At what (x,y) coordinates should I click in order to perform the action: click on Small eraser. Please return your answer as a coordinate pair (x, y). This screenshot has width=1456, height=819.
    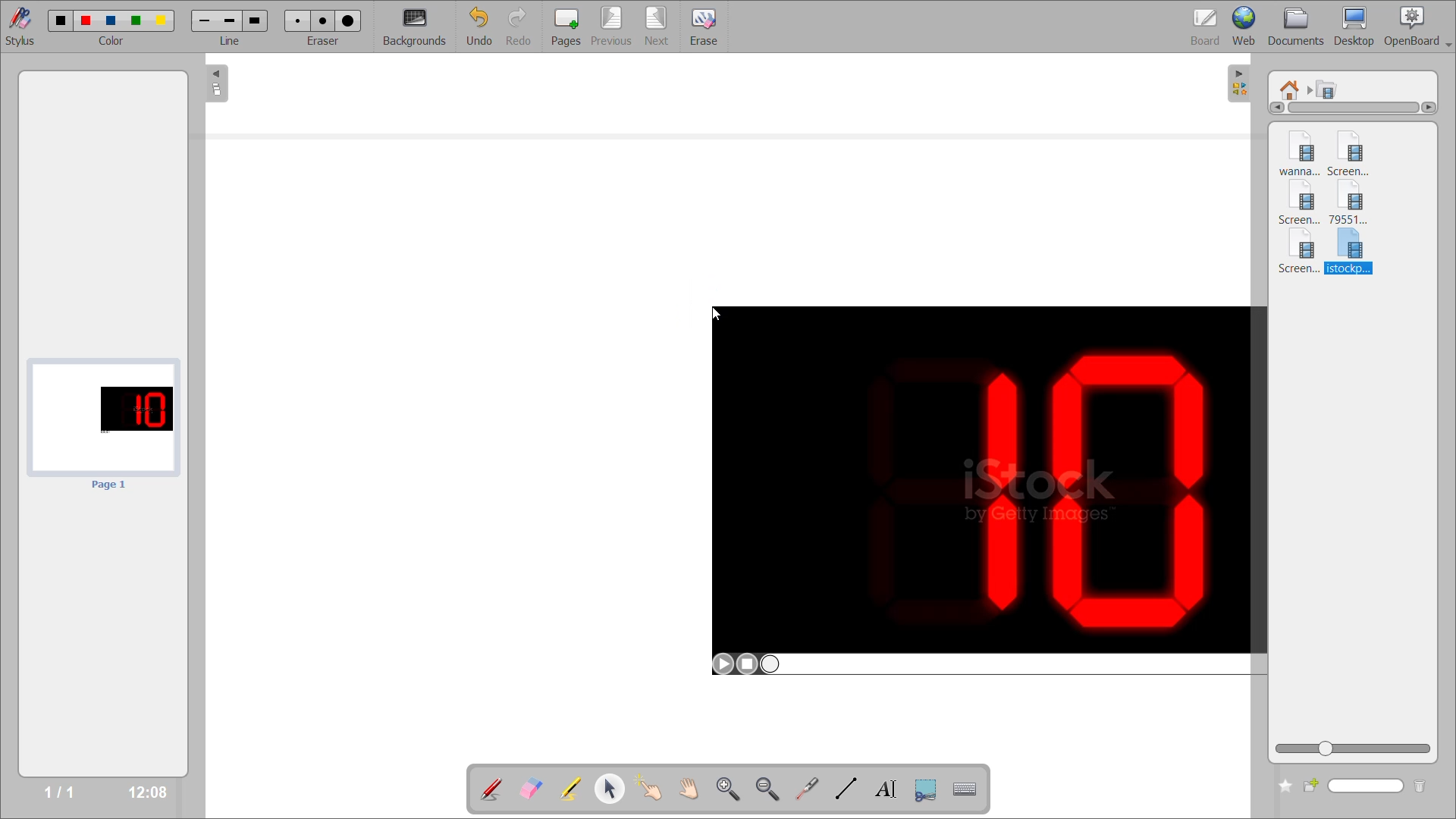
    Looking at the image, I should click on (298, 20).